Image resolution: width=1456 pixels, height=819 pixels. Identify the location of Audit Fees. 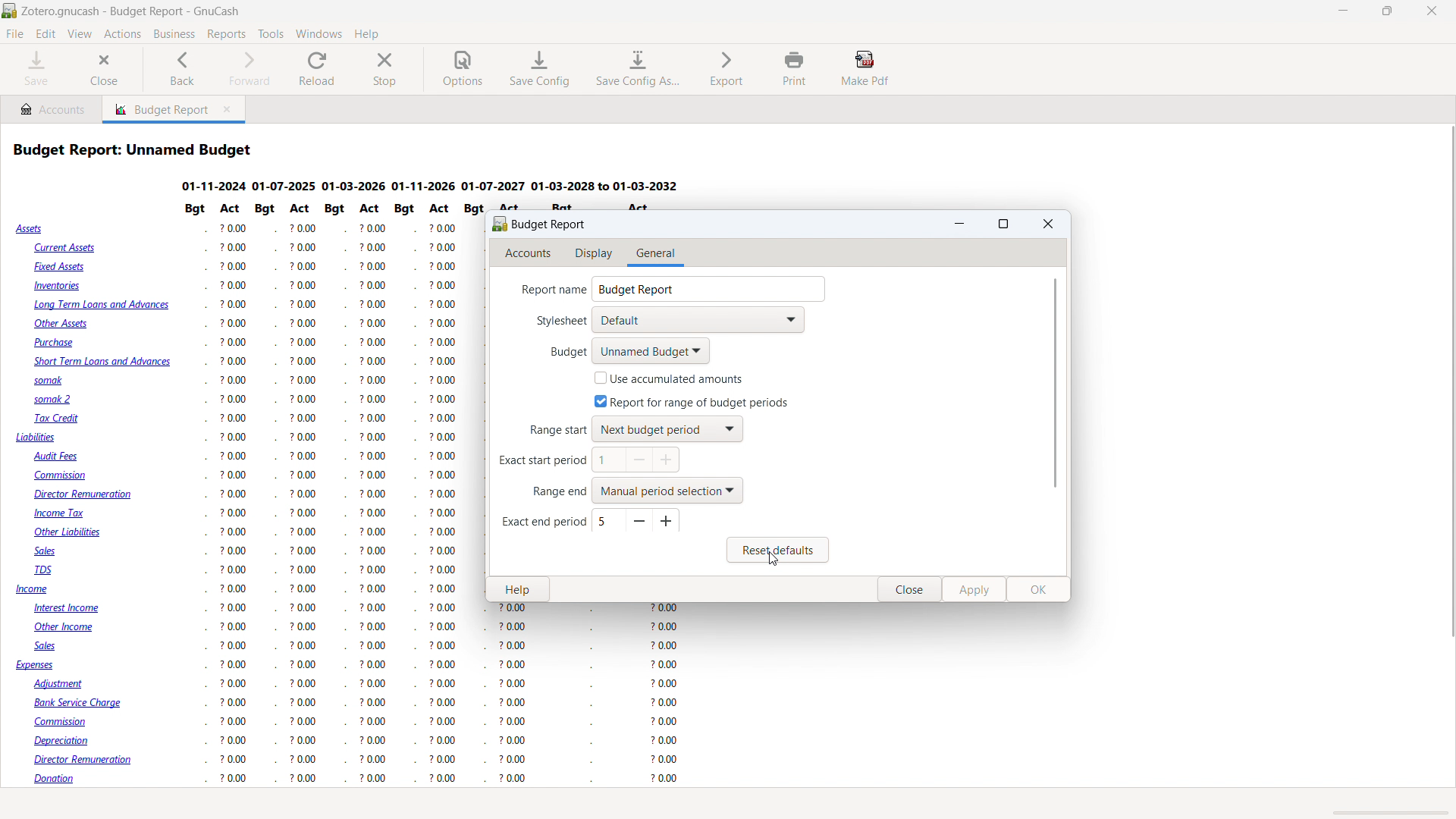
(57, 457).